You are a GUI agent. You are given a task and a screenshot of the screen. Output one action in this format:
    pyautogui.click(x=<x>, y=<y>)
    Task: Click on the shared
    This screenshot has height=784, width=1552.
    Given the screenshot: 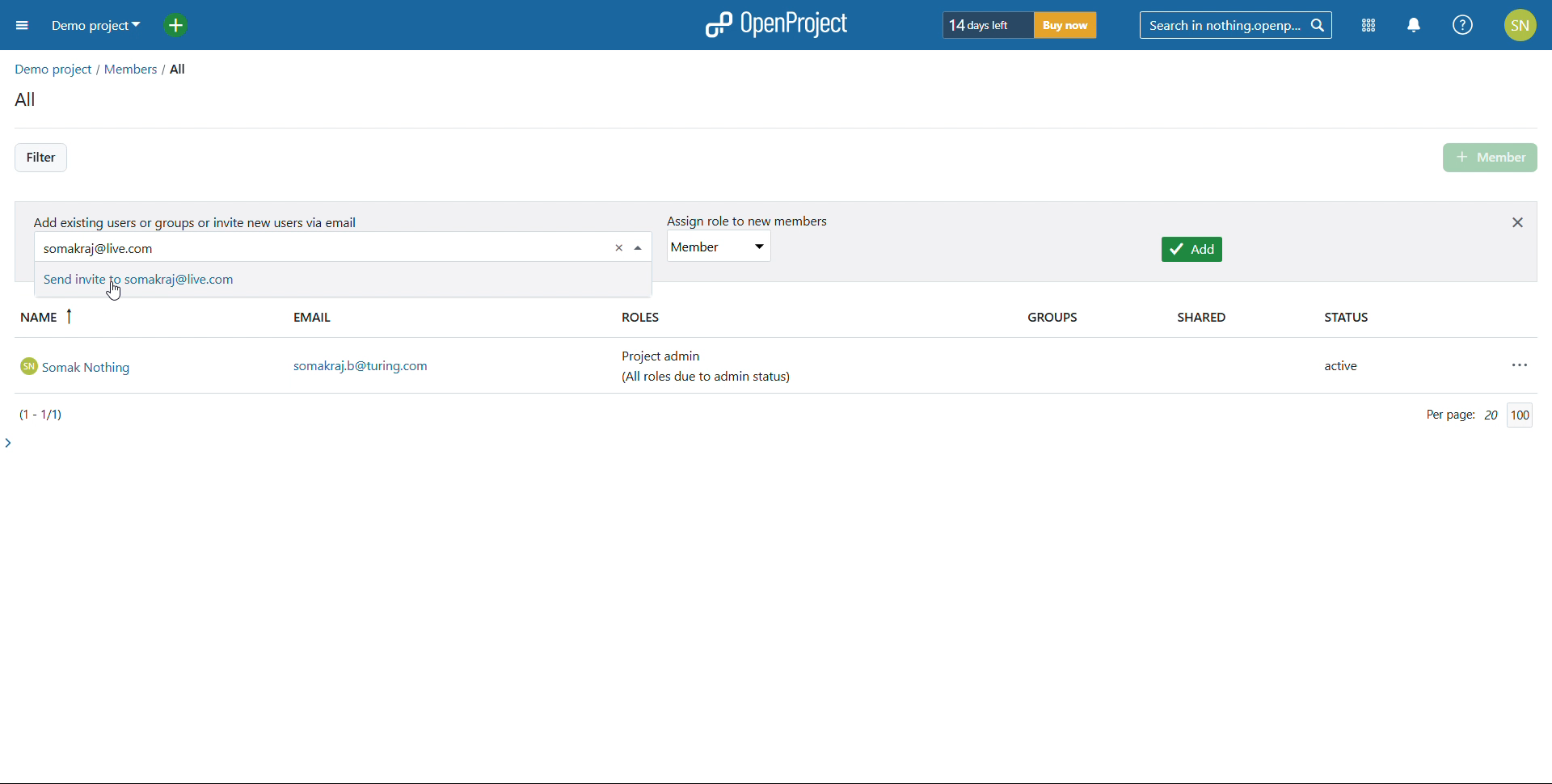 What is the action you would take?
    pyautogui.click(x=1231, y=318)
    